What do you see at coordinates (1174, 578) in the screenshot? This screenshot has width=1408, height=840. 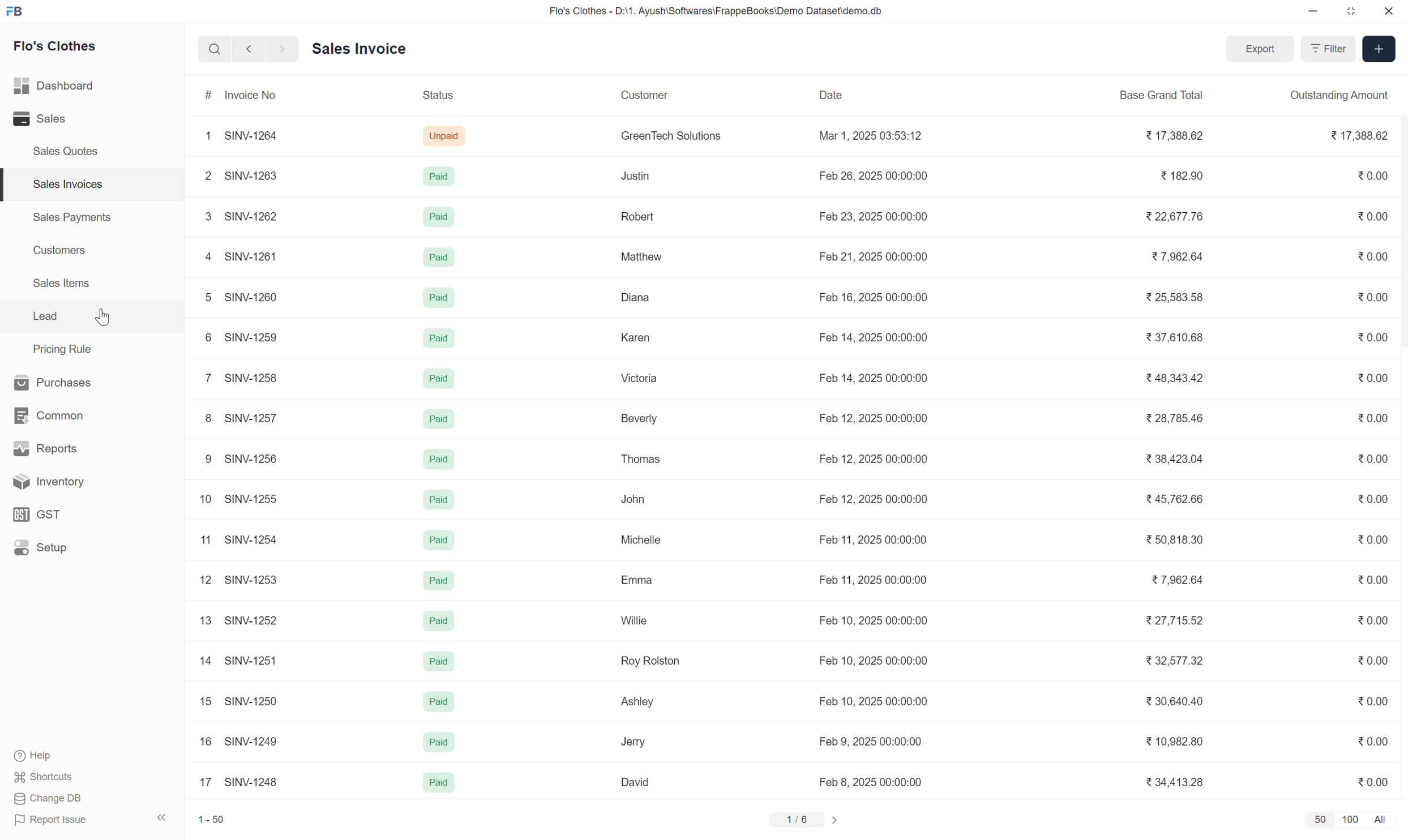 I see `37,962.64` at bounding box center [1174, 578].